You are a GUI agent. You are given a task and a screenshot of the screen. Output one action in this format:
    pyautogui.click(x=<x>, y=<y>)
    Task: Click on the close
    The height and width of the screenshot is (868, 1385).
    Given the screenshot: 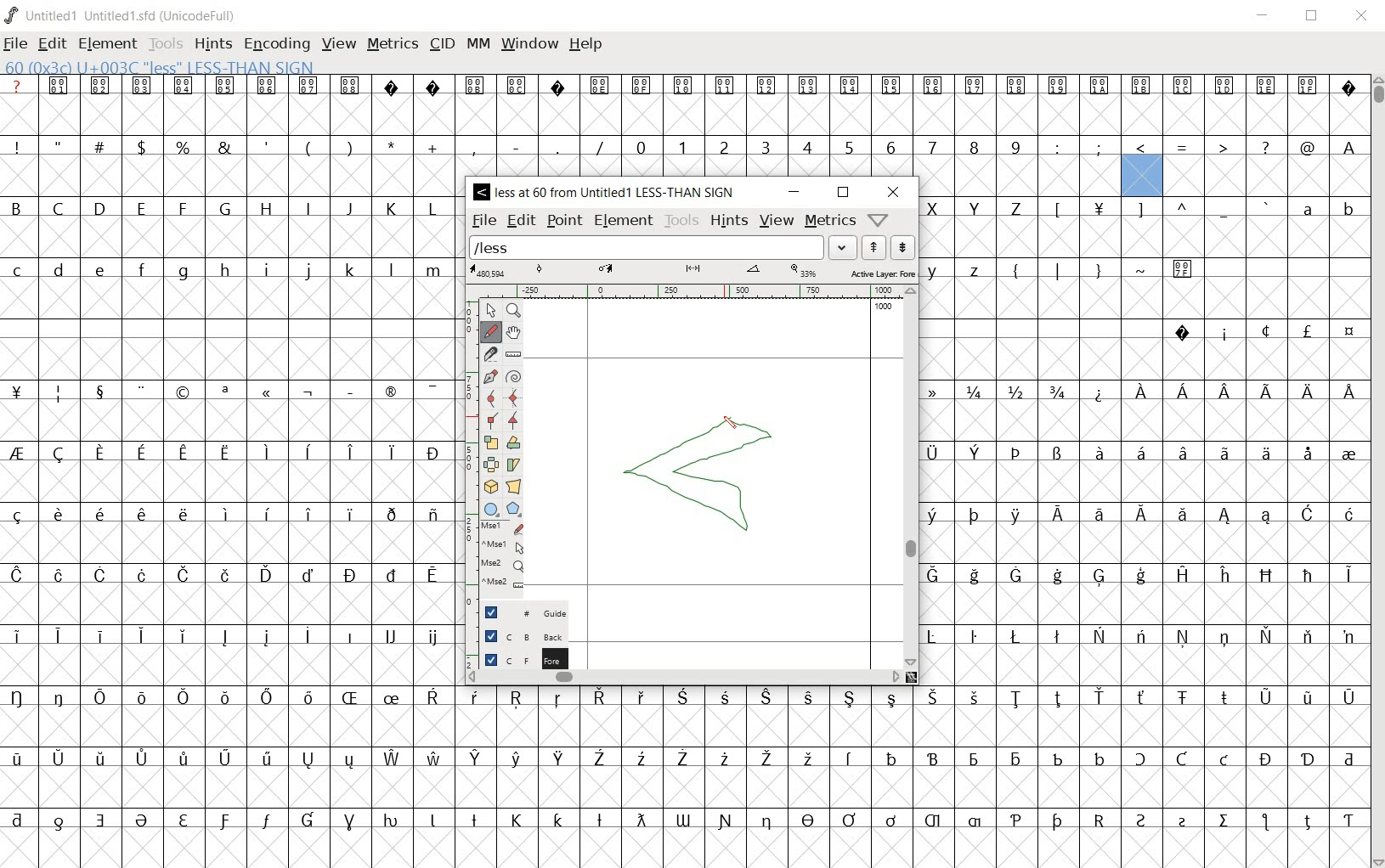 What is the action you would take?
    pyautogui.click(x=1363, y=17)
    